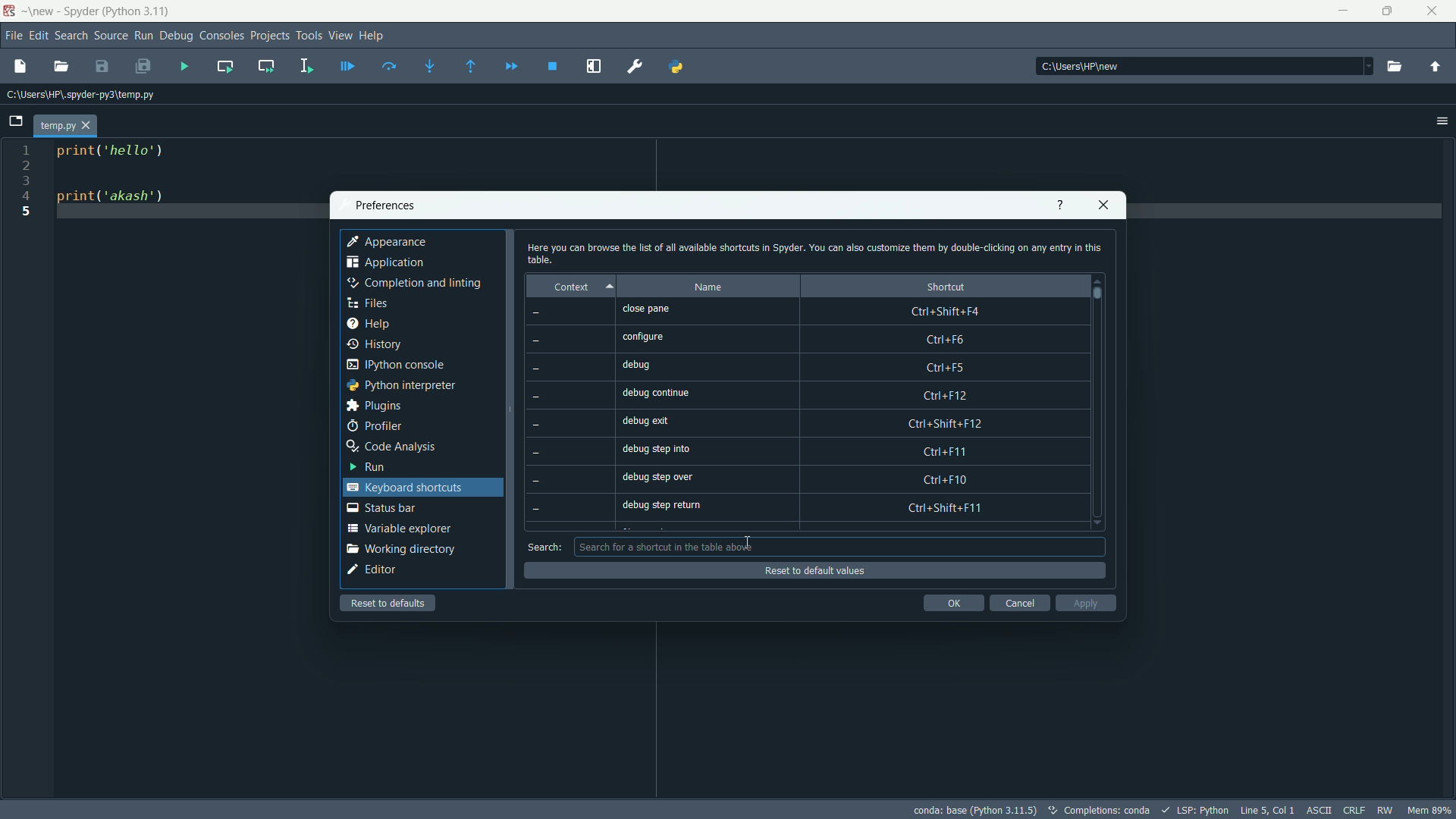  Describe the element at coordinates (802, 312) in the screenshot. I see `-, close pane, ctrl+shift+f4` at that location.